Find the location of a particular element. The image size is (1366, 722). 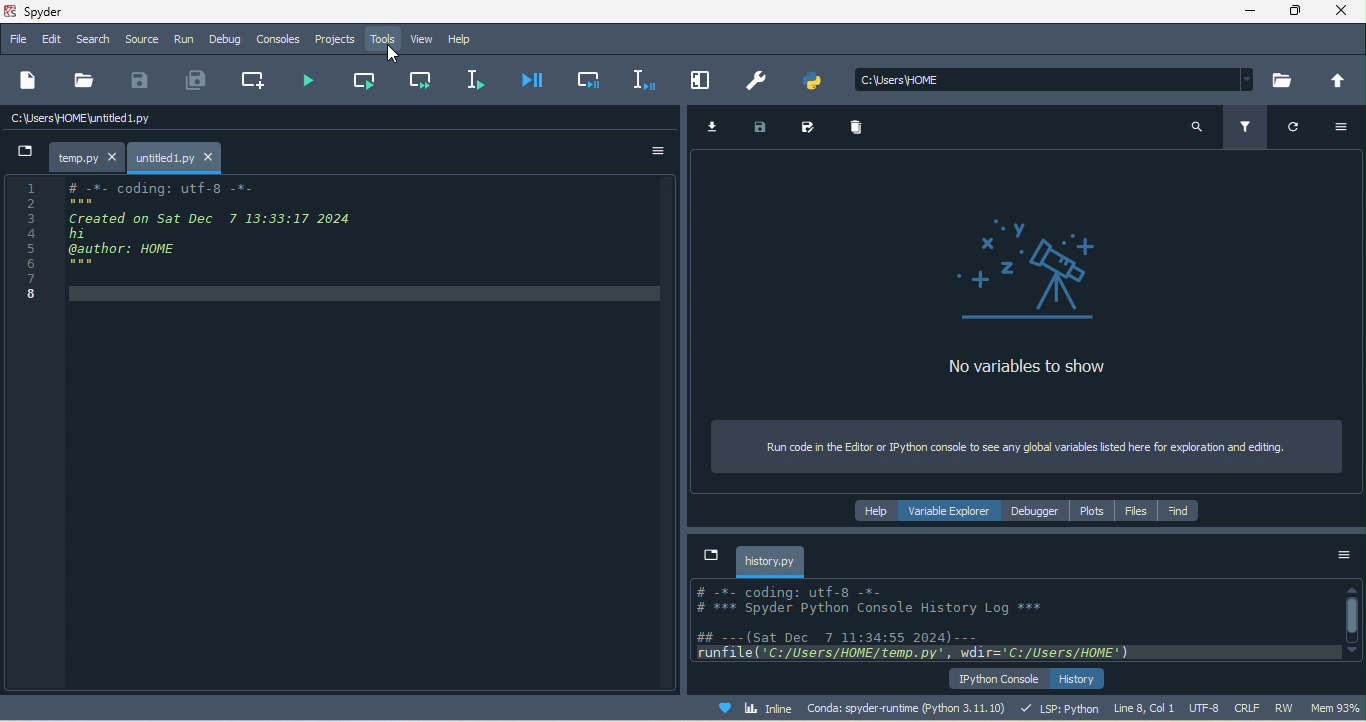

save all is located at coordinates (202, 80).